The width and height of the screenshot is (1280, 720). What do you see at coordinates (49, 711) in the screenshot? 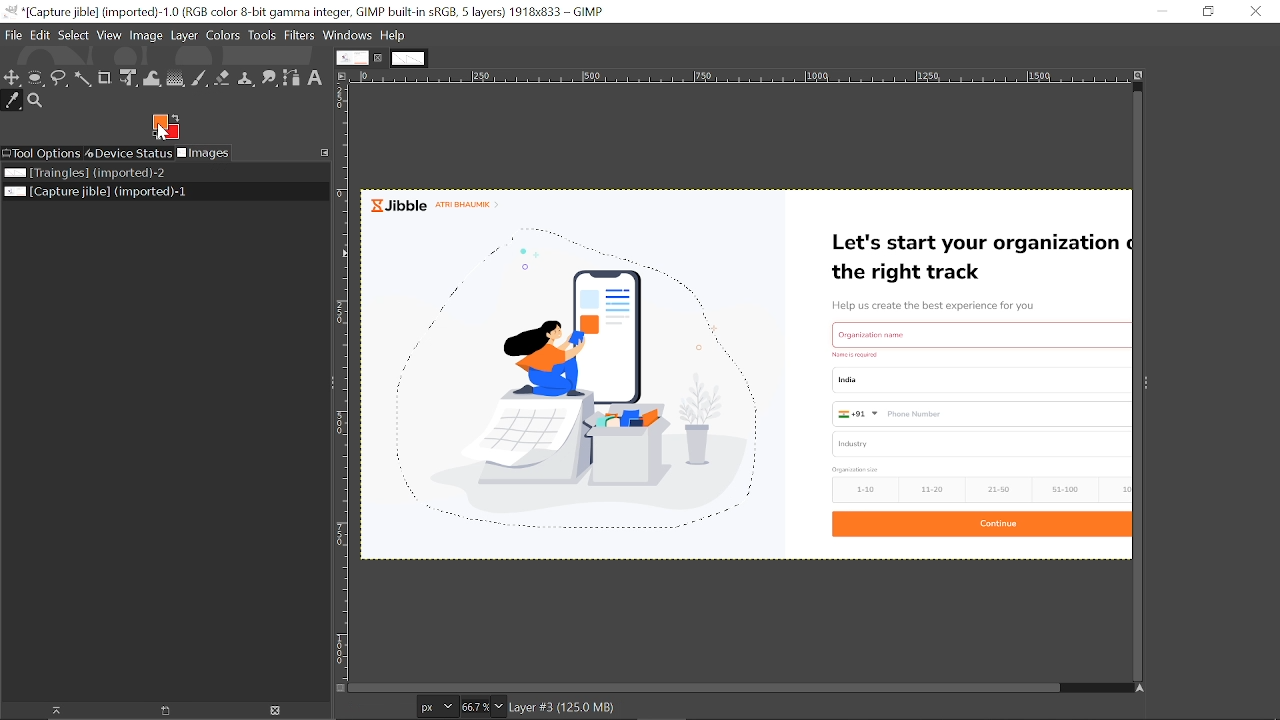
I see `Raise this images display` at bounding box center [49, 711].